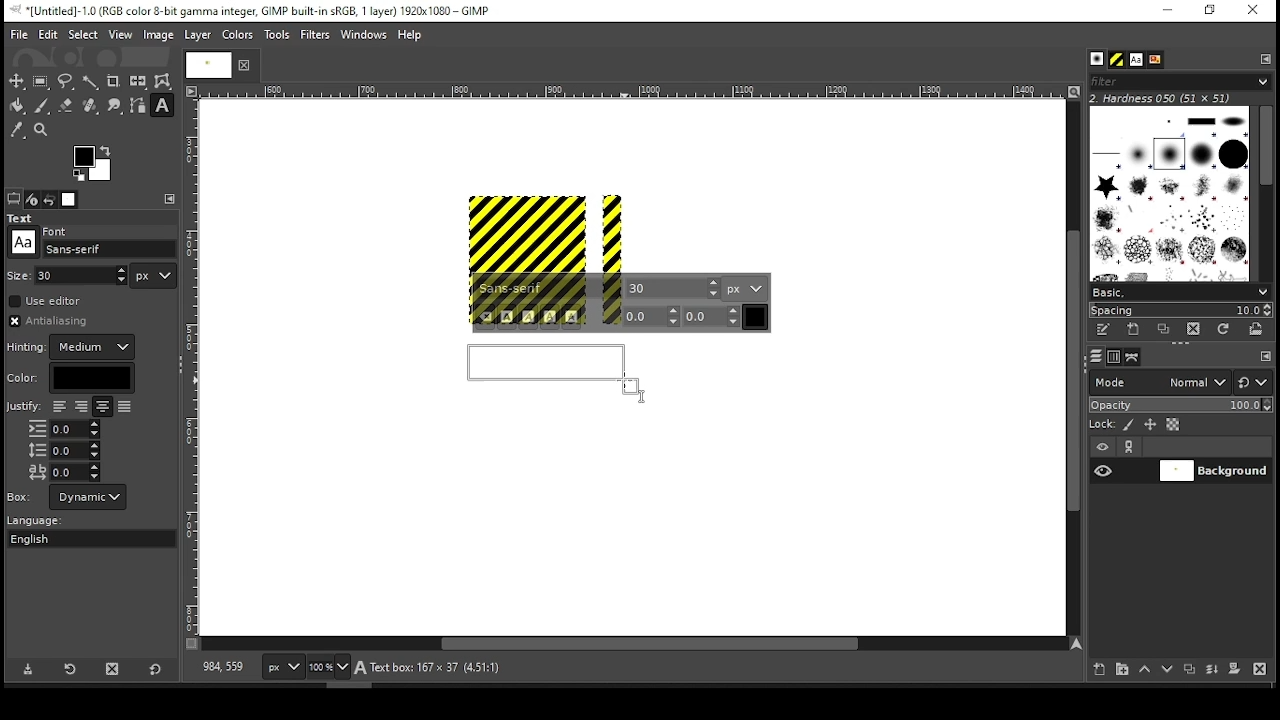 The image size is (1280, 720). I want to click on font, so click(673, 287).